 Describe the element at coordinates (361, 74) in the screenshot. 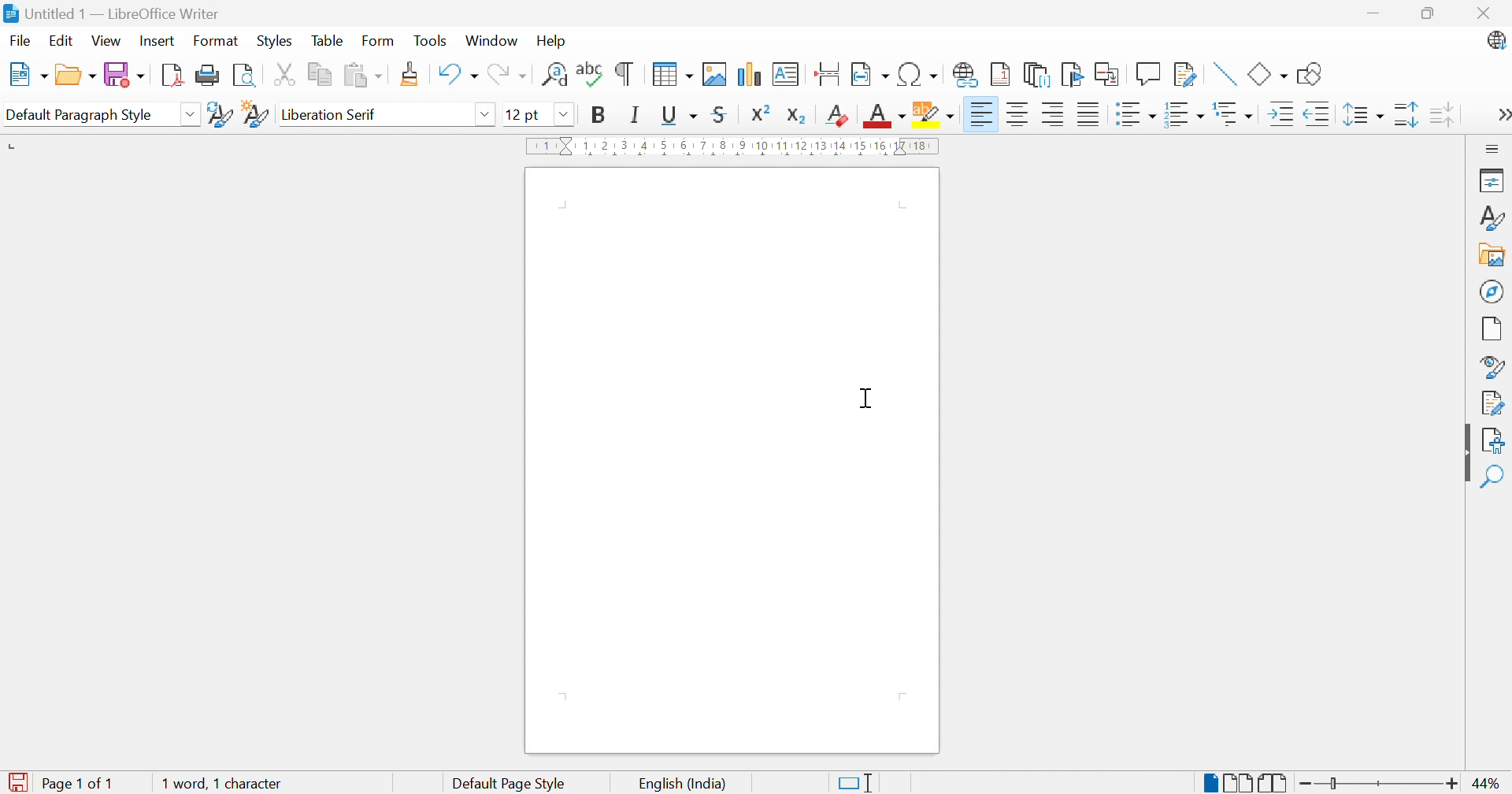

I see `Paste` at that location.